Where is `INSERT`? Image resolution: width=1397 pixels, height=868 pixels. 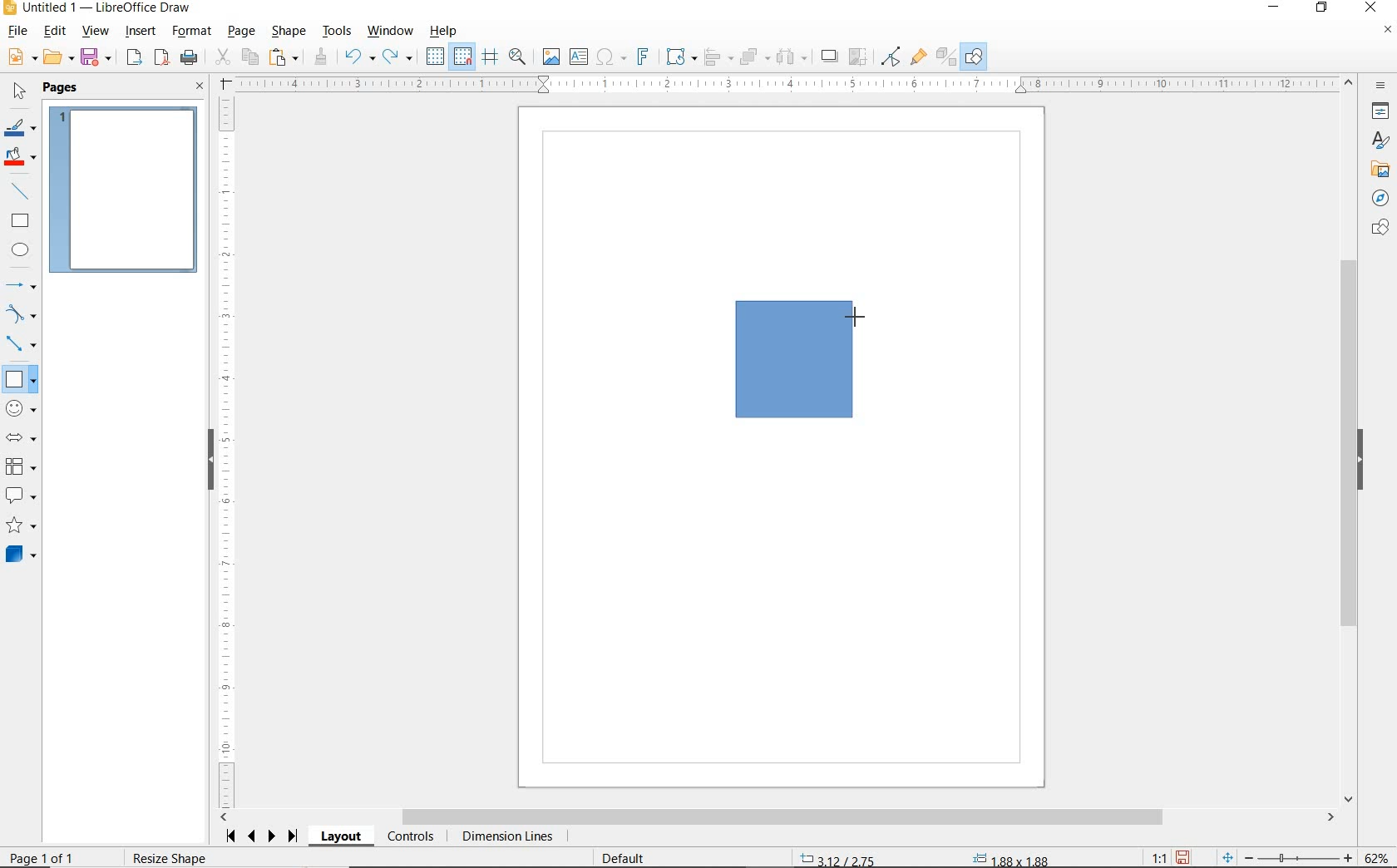
INSERT is located at coordinates (141, 32).